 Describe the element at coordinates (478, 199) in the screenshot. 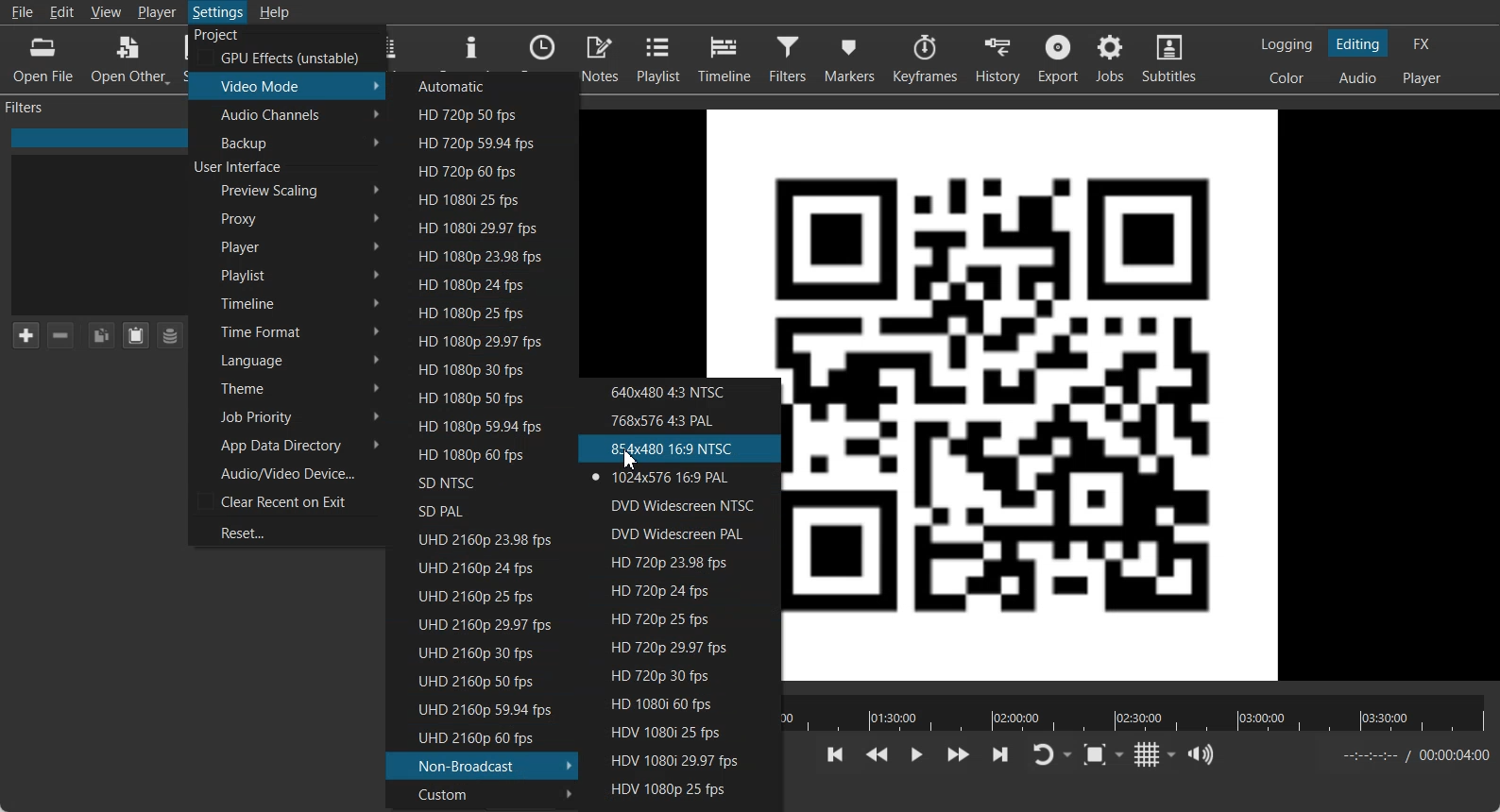

I see `HD 1080i 25 fps` at that location.